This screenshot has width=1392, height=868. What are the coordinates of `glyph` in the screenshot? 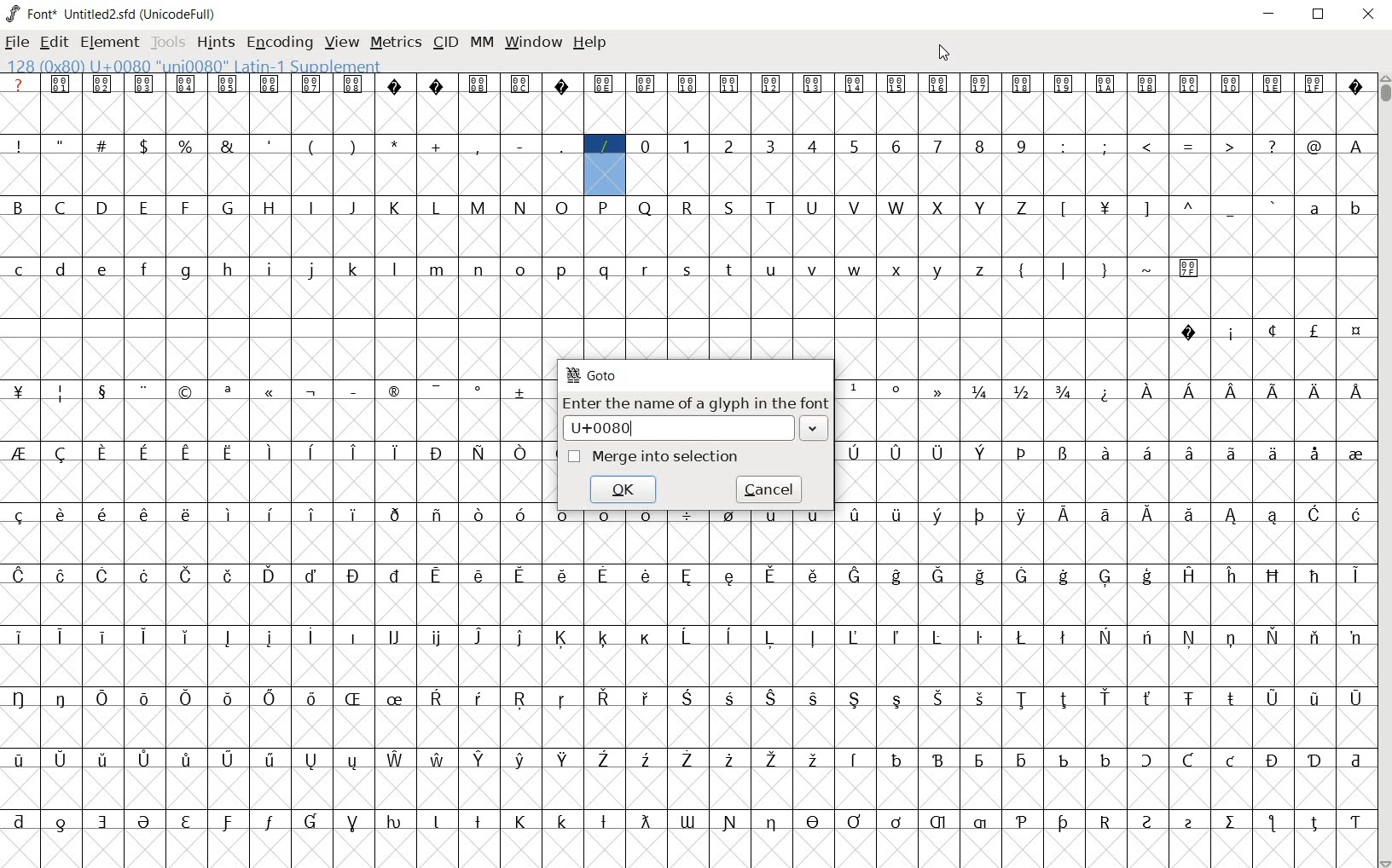 It's located at (186, 454).